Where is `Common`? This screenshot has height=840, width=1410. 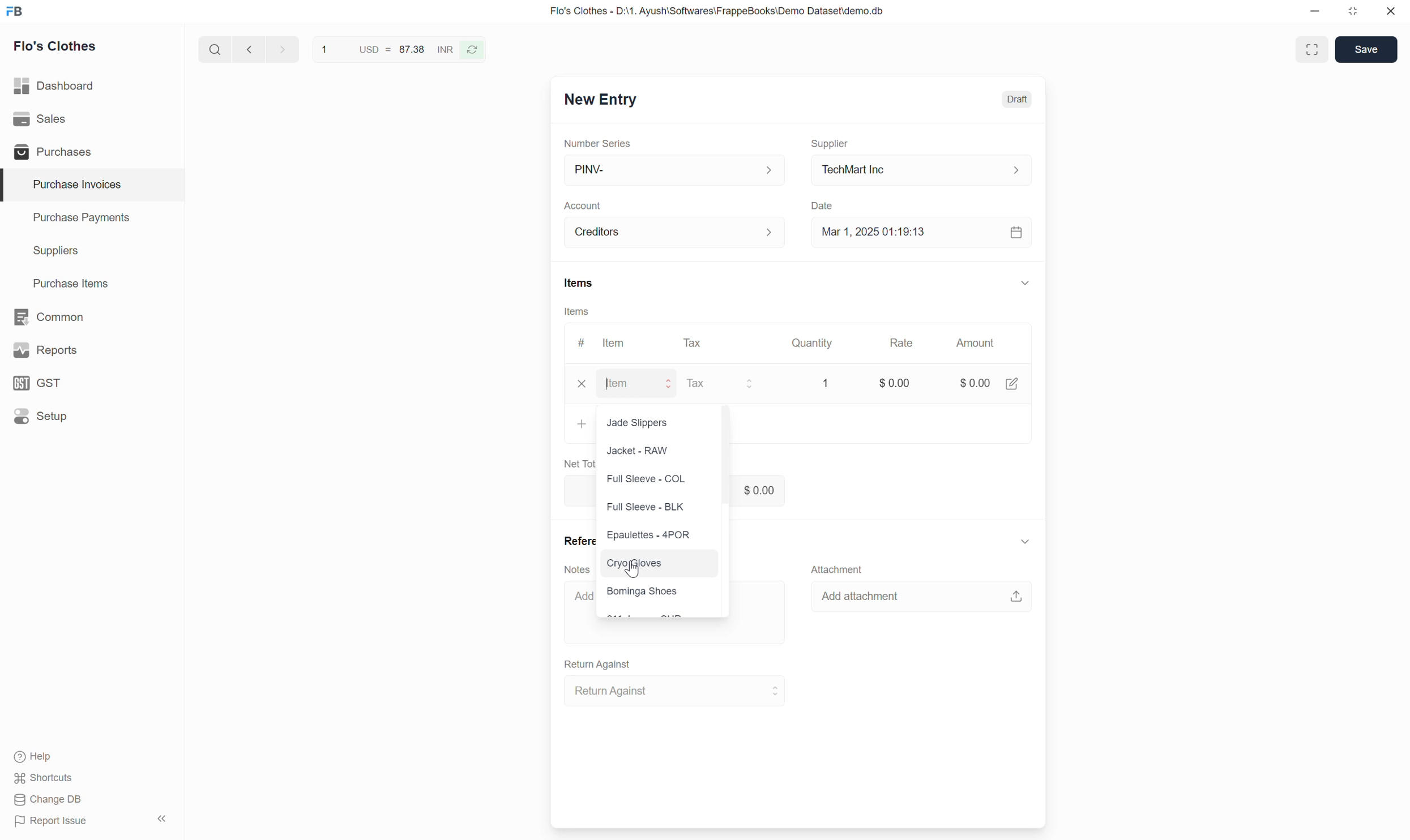 Common is located at coordinates (50, 316).